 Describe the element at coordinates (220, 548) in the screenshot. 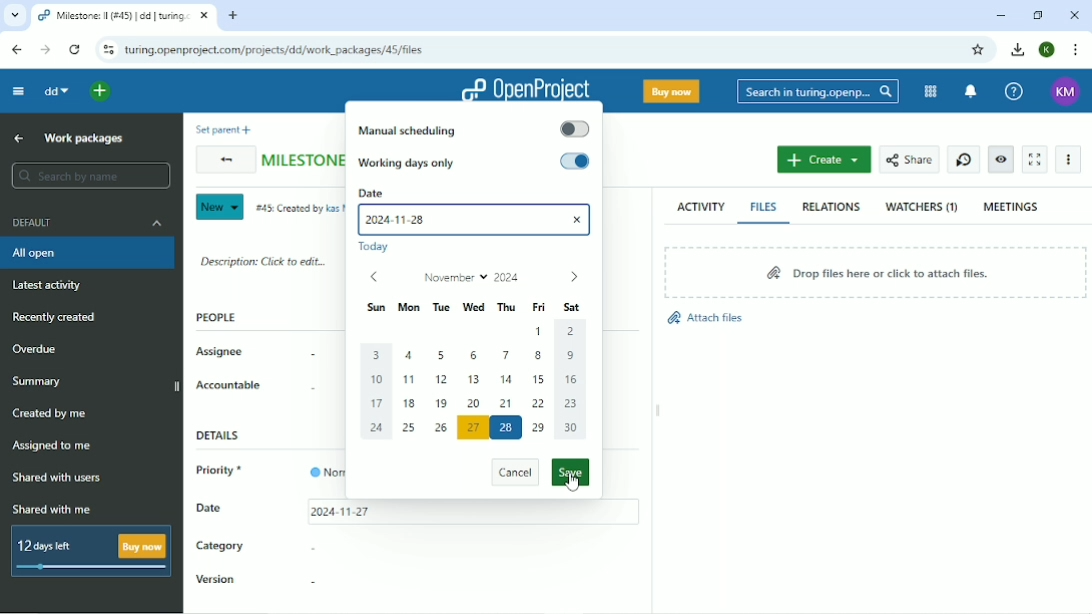

I see `Category` at that location.